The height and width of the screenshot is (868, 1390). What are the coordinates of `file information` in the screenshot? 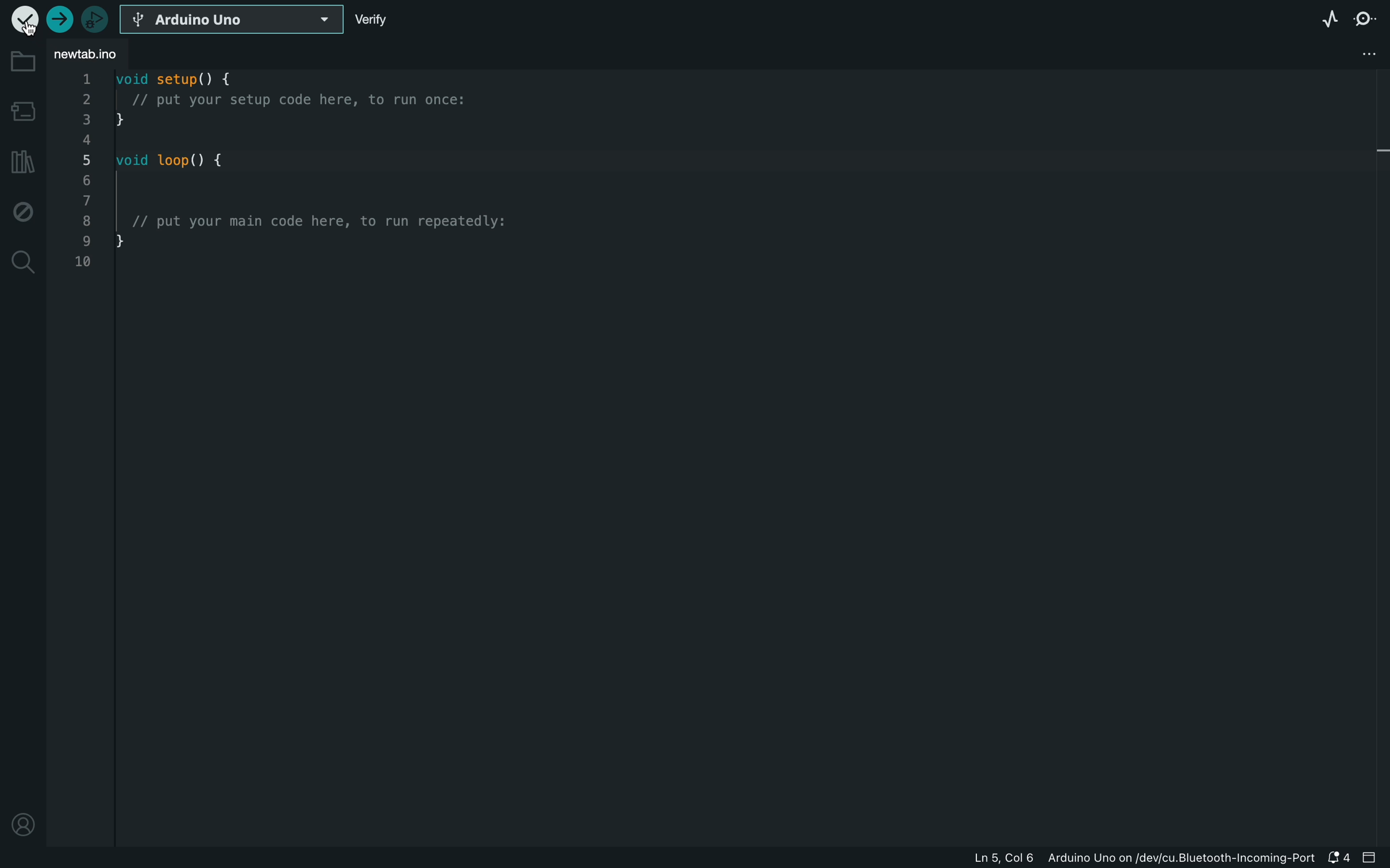 It's located at (1102, 858).